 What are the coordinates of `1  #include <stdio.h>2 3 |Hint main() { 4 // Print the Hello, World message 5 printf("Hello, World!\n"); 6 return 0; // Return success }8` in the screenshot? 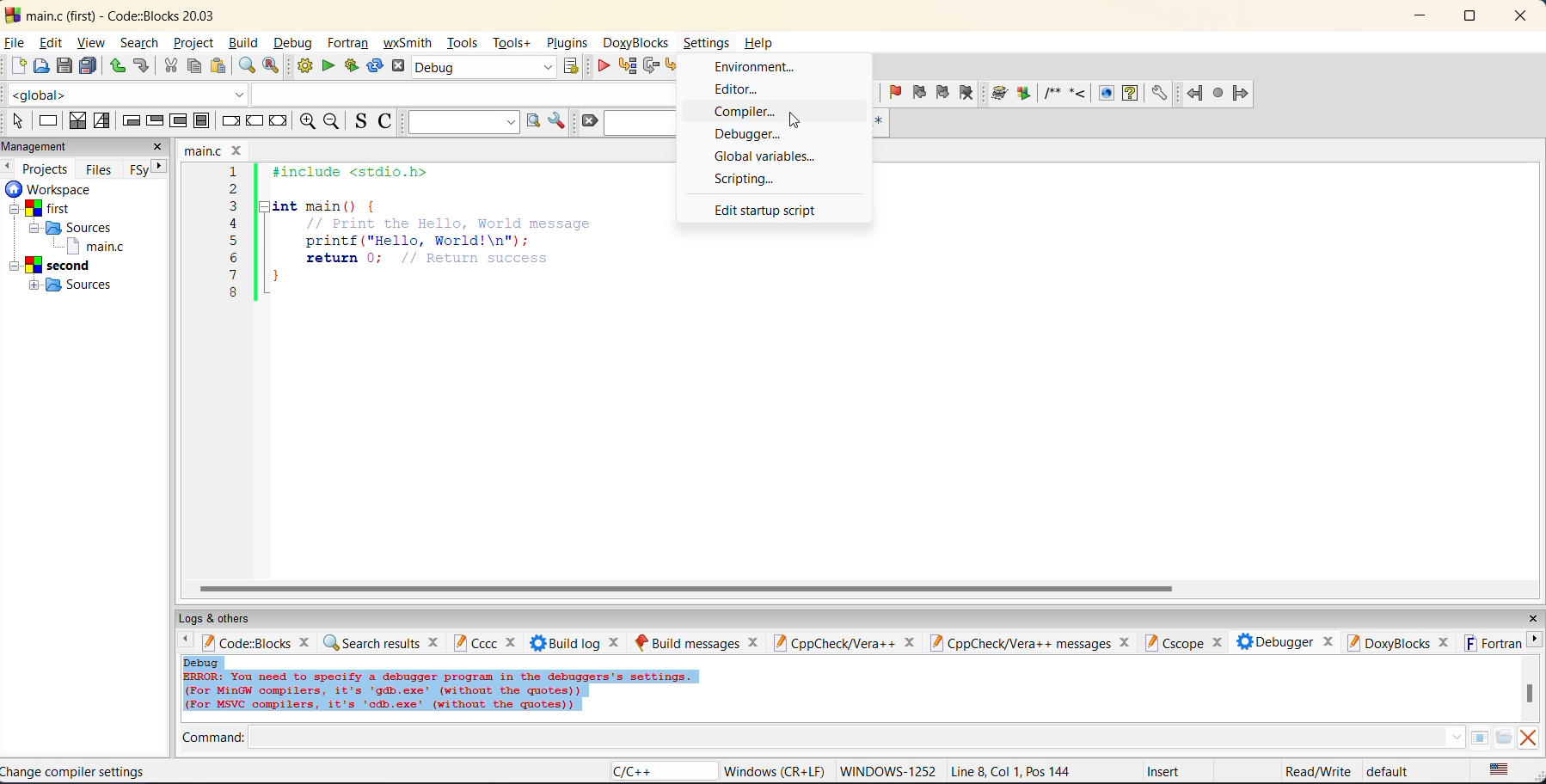 It's located at (448, 246).